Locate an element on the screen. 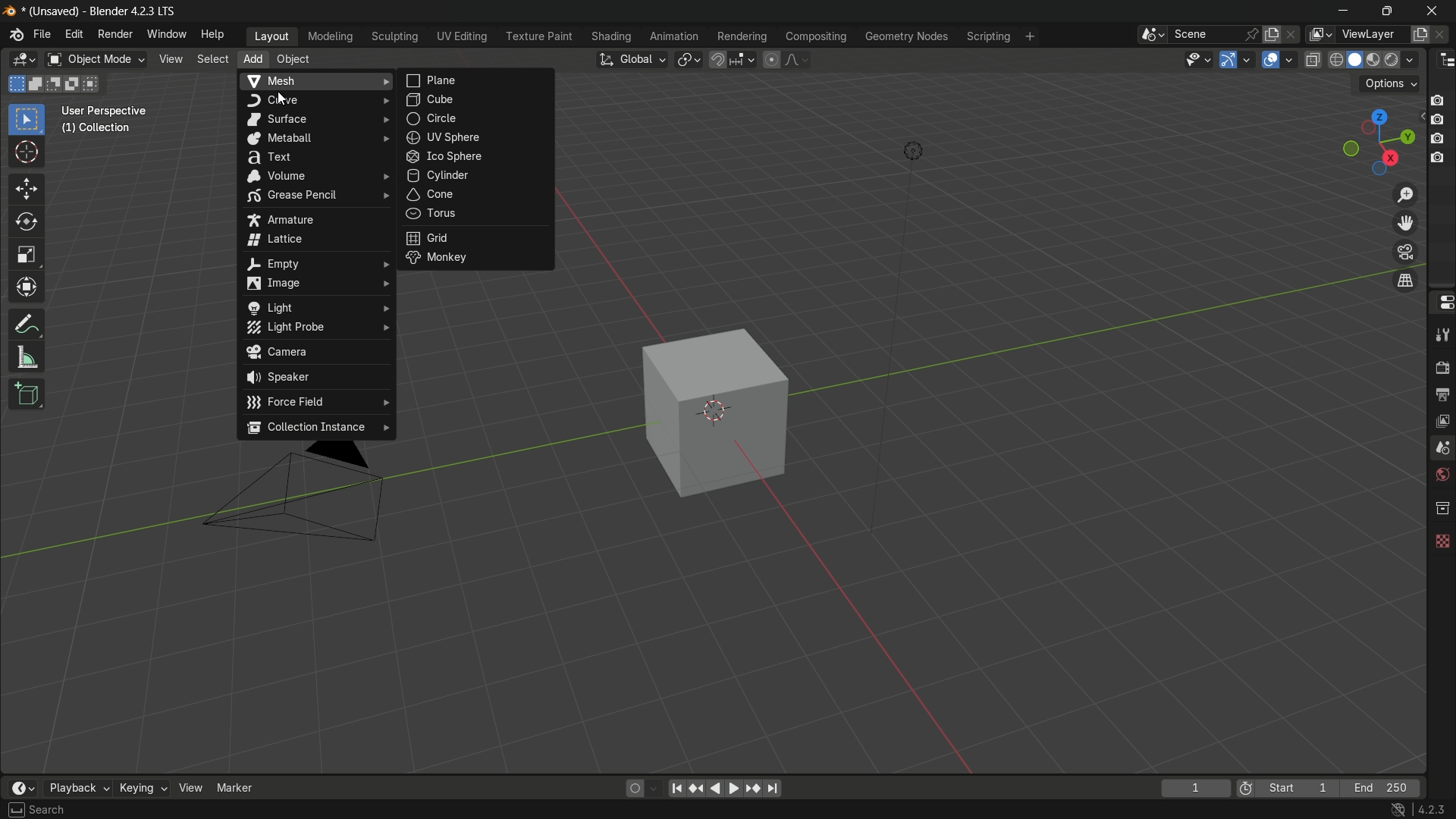 This screenshot has width=1456, height=819. move is located at coordinates (27, 189).